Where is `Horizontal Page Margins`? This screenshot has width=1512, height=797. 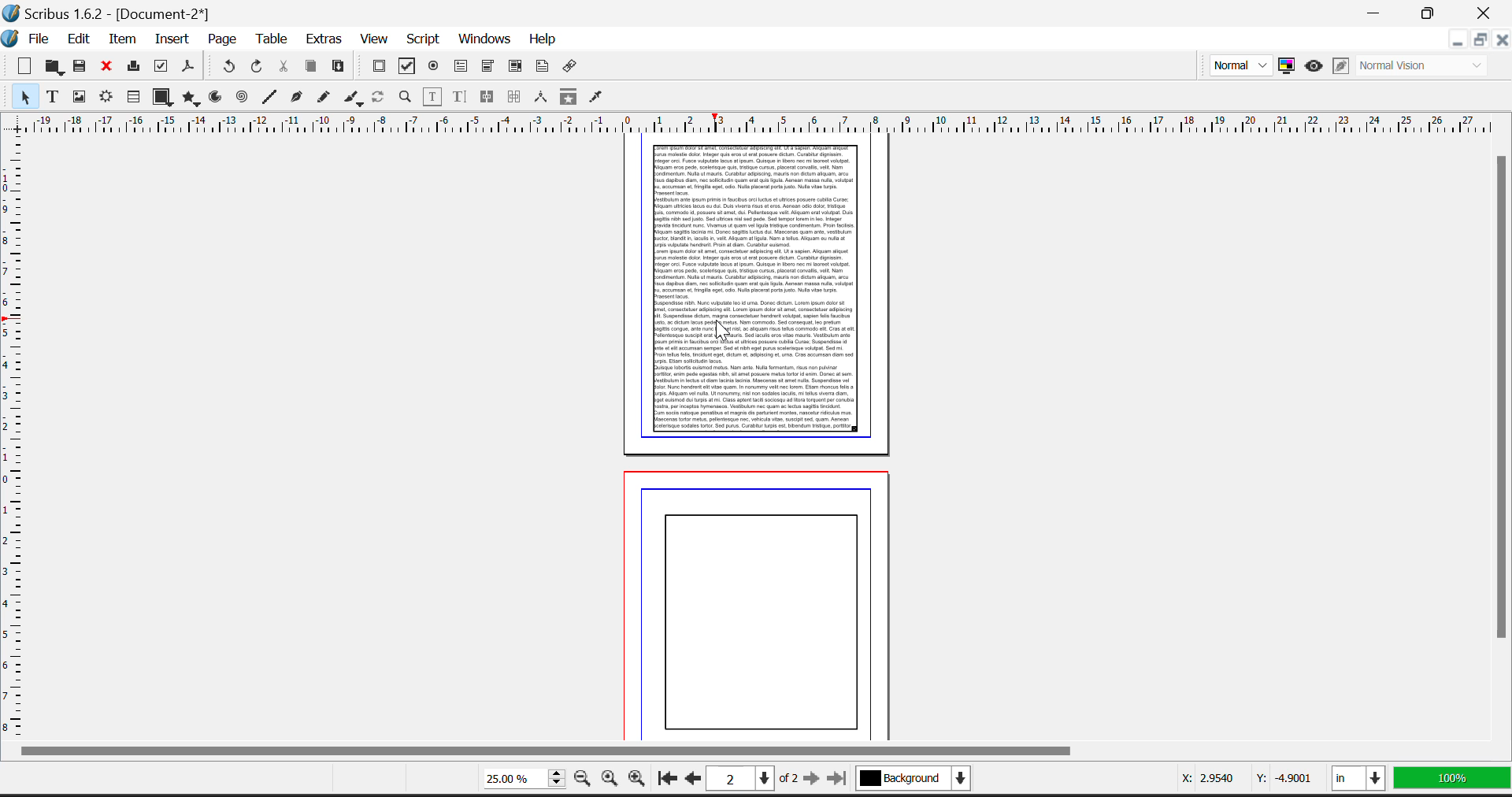 Horizontal Page Margins is located at coordinates (14, 436).